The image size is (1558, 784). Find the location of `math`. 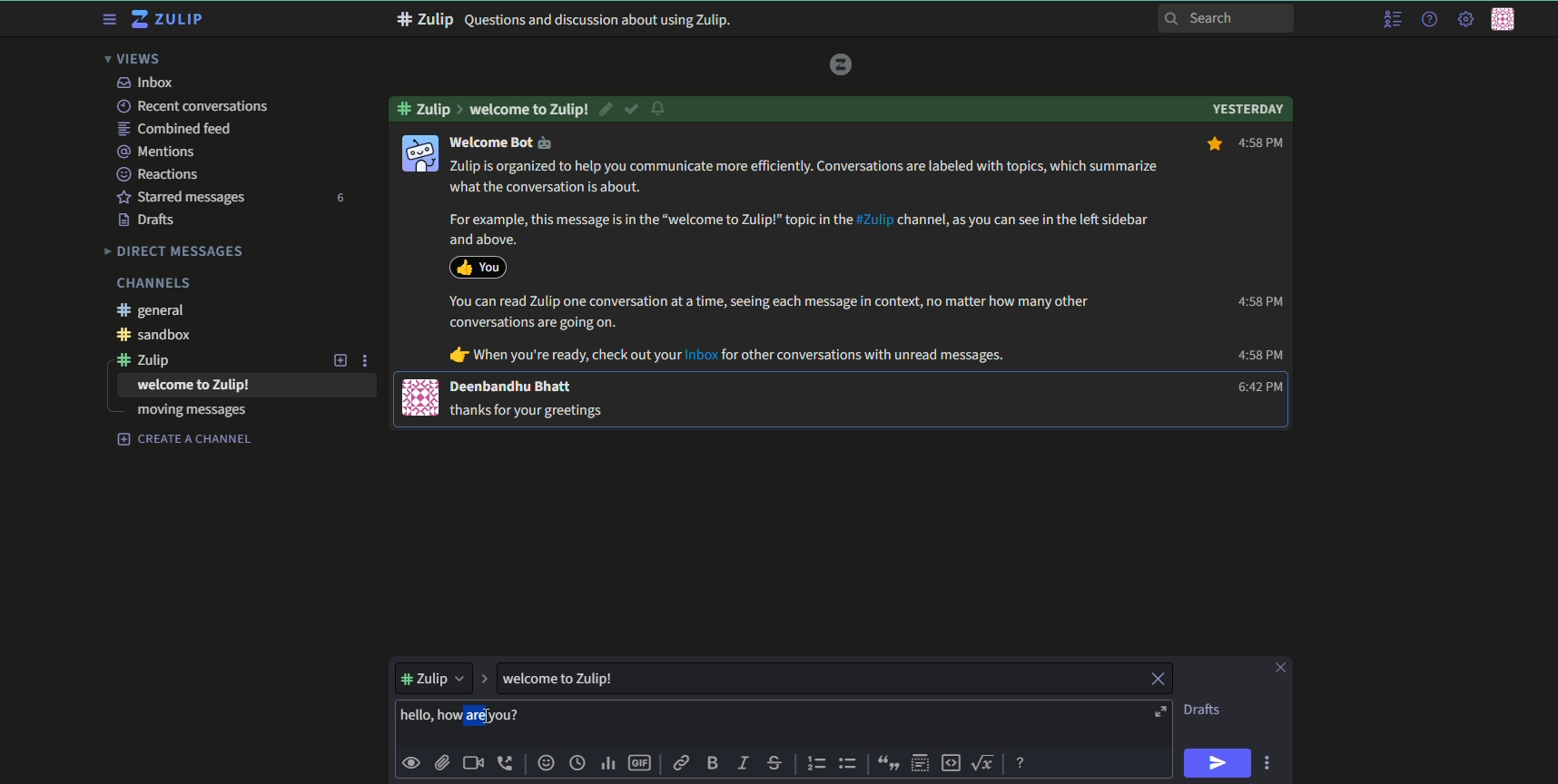

math is located at coordinates (986, 761).